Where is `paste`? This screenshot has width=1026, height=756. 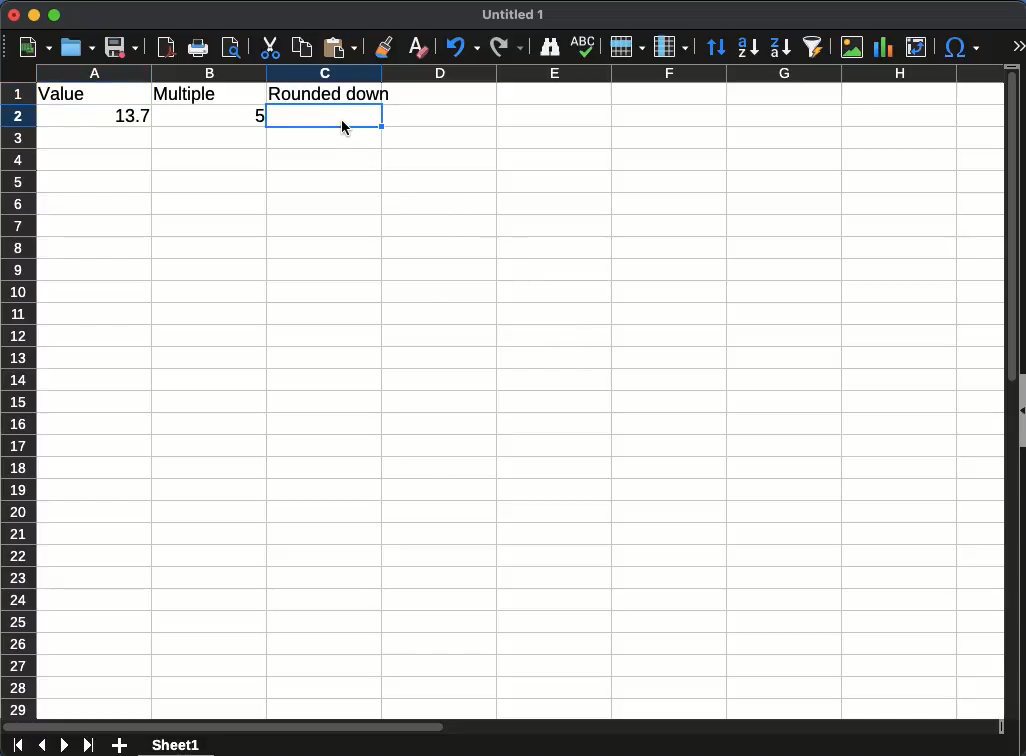
paste is located at coordinates (342, 47).